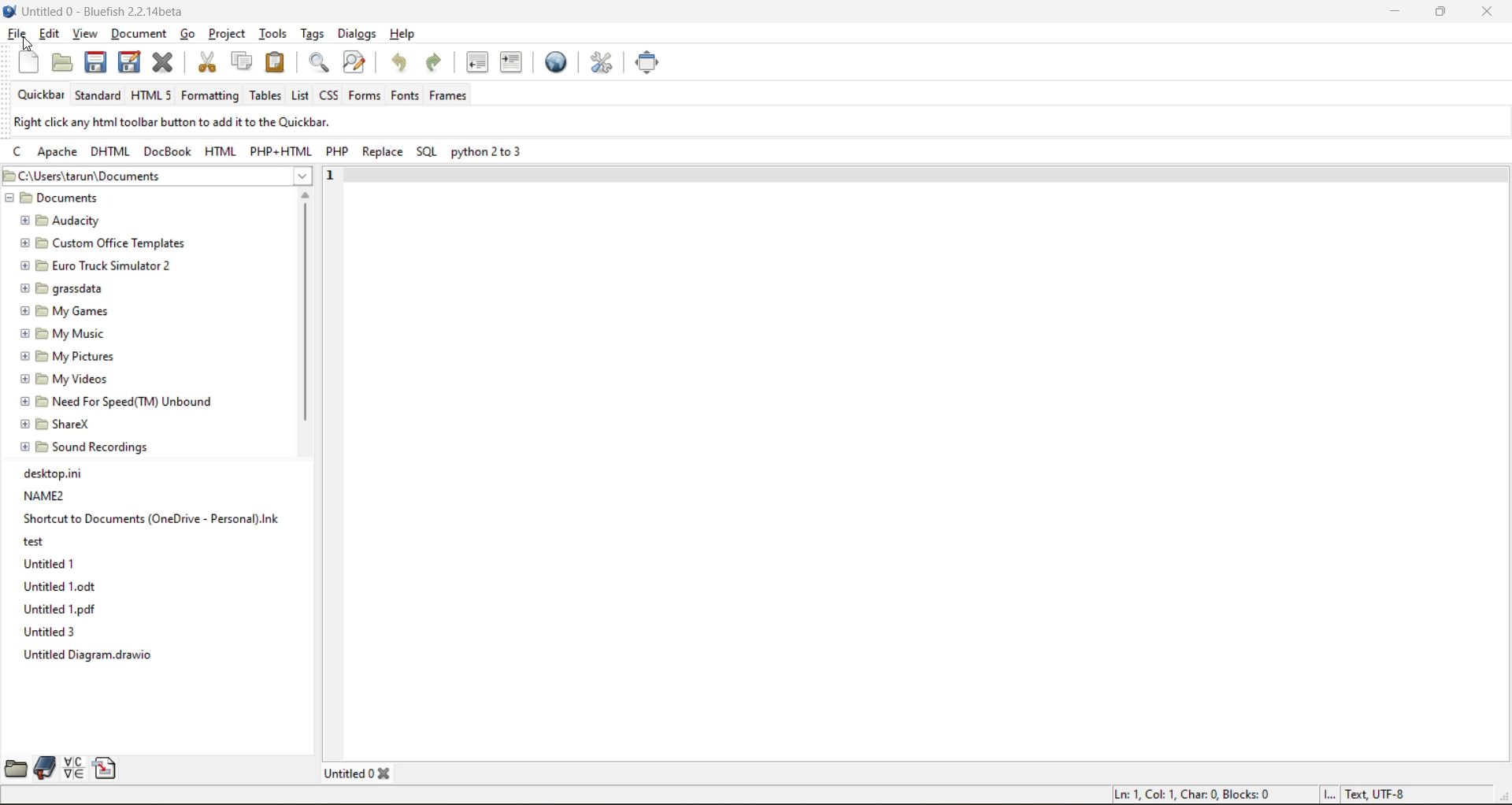 The height and width of the screenshot is (805, 1512). I want to click on Custom Office Templates, so click(98, 244).